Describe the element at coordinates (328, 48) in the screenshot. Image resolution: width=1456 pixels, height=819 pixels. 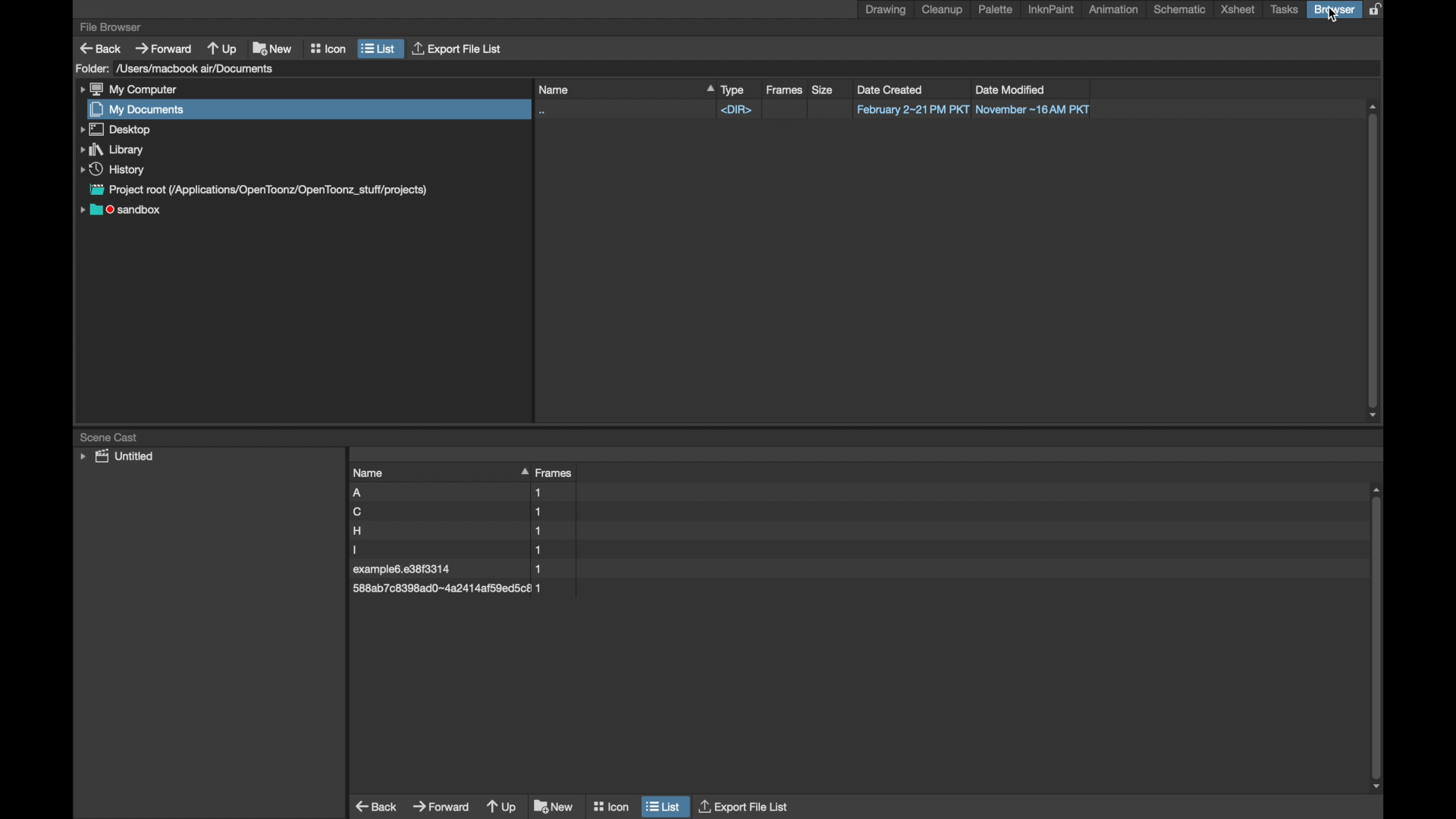
I see `icon` at that location.